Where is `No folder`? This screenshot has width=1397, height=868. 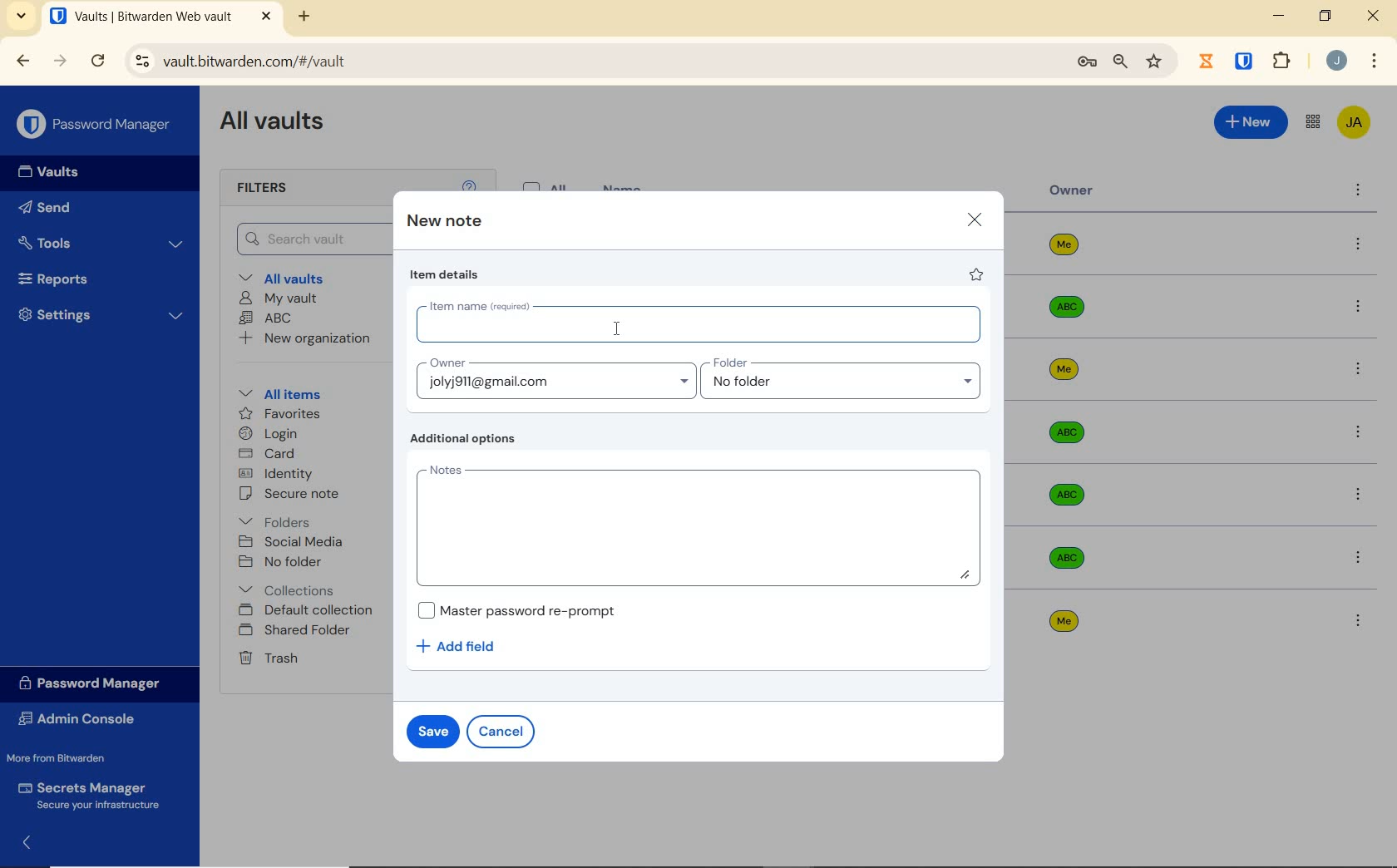
No folder is located at coordinates (284, 562).